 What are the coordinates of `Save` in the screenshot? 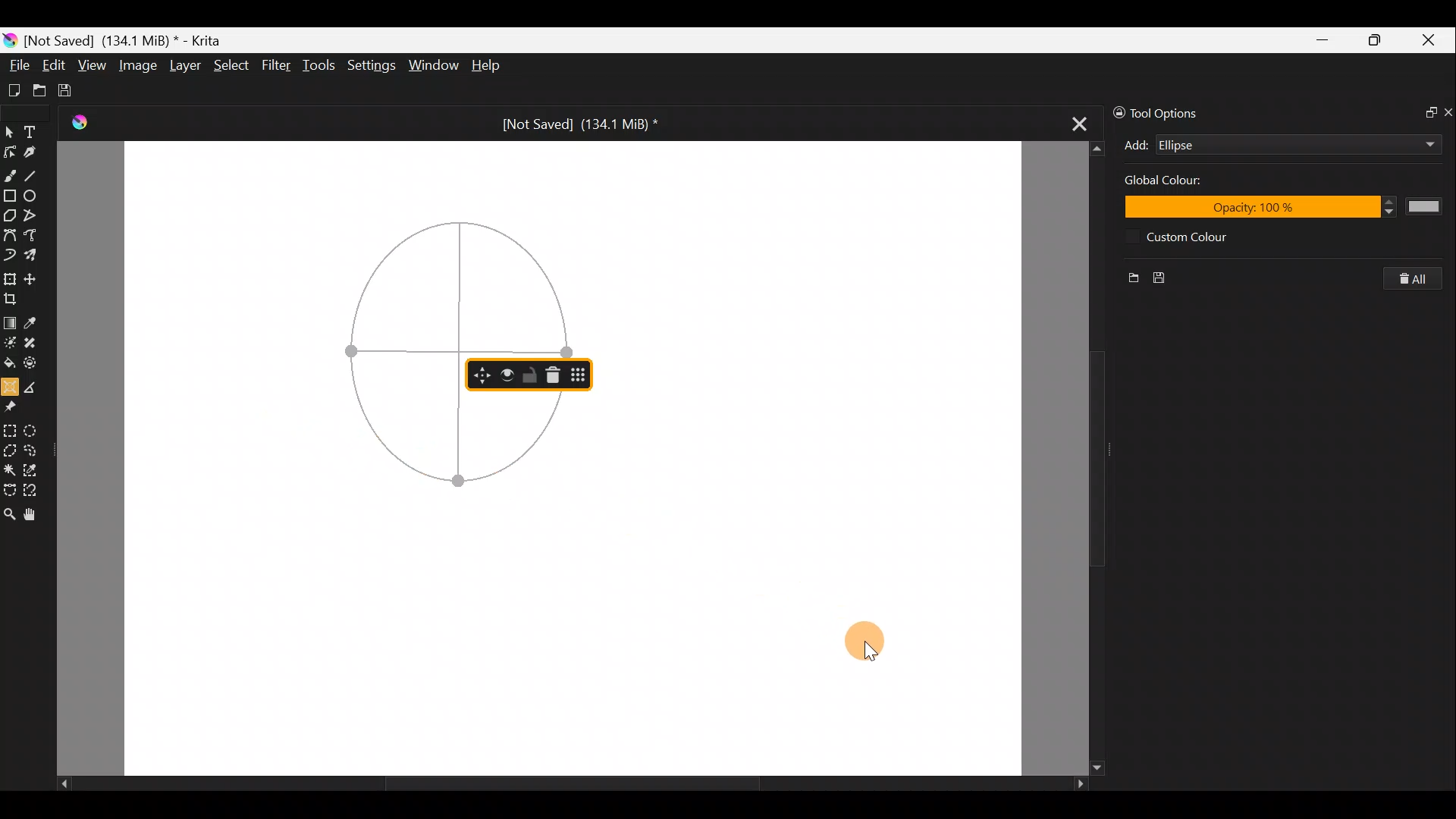 It's located at (1162, 275).